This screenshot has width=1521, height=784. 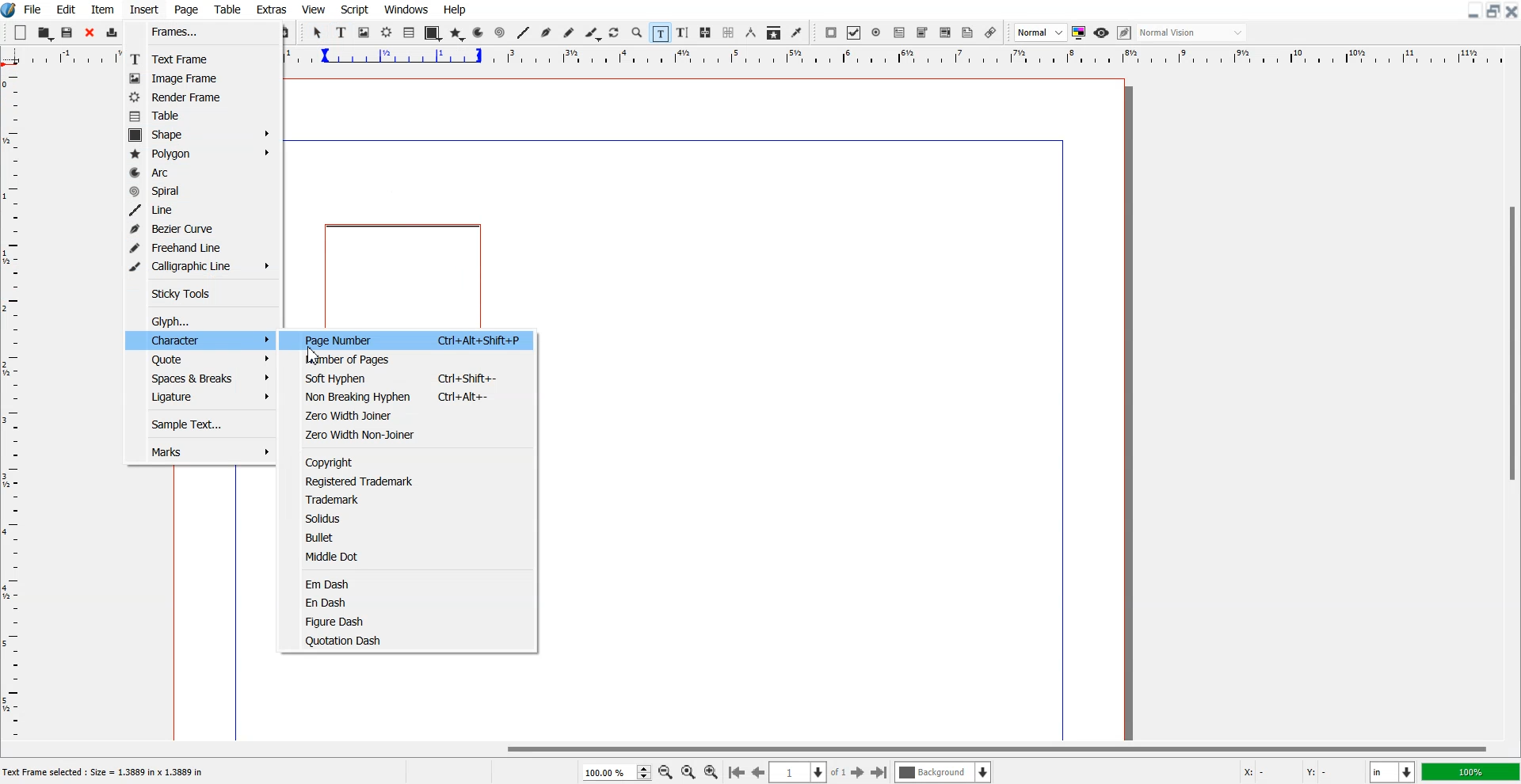 What do you see at coordinates (199, 423) in the screenshot?
I see `Sample Text` at bounding box center [199, 423].